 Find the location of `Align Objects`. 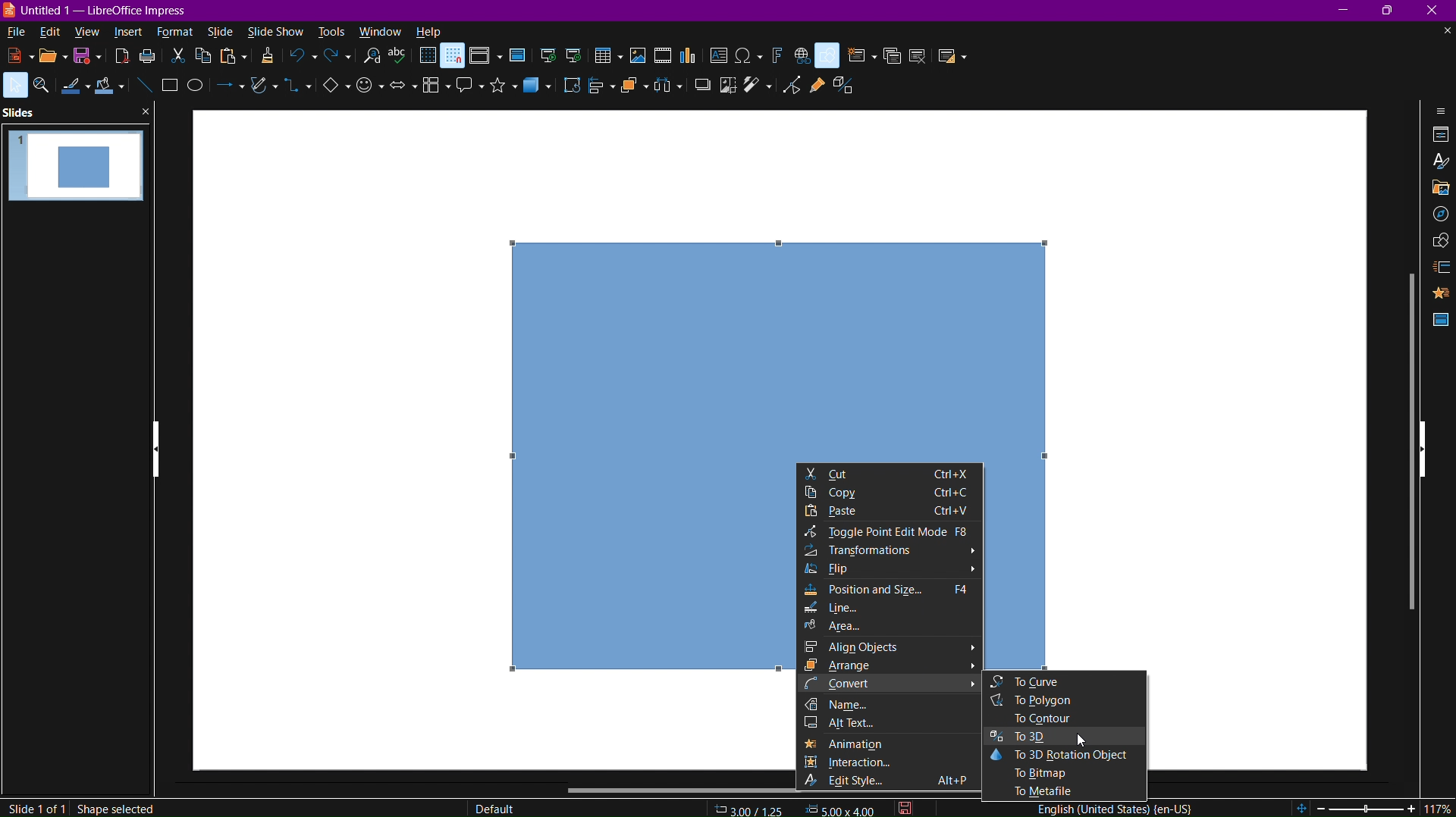

Align Objects is located at coordinates (889, 650).